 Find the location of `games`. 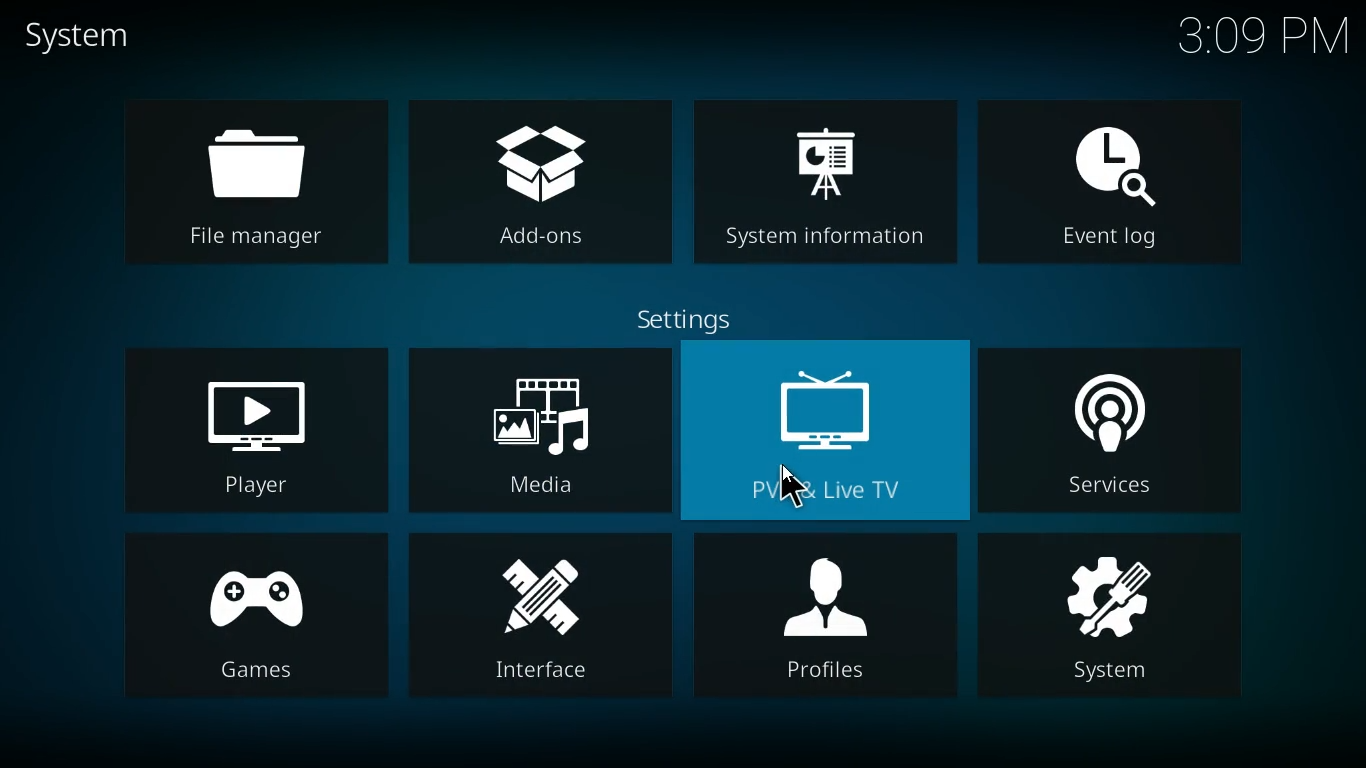

games is located at coordinates (251, 615).